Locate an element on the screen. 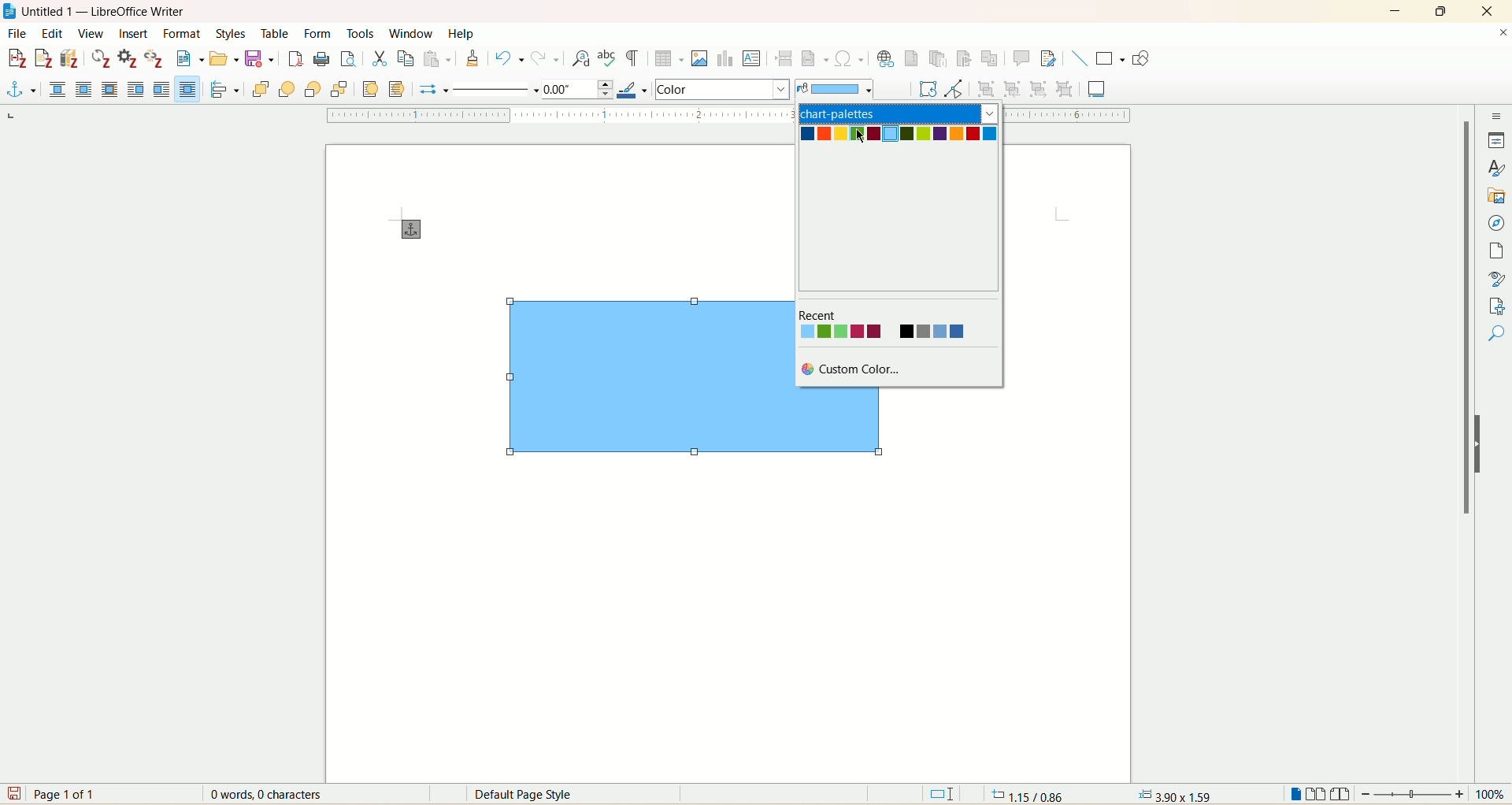 Image resolution: width=1512 pixels, height=805 pixels. insert table is located at coordinates (670, 61).